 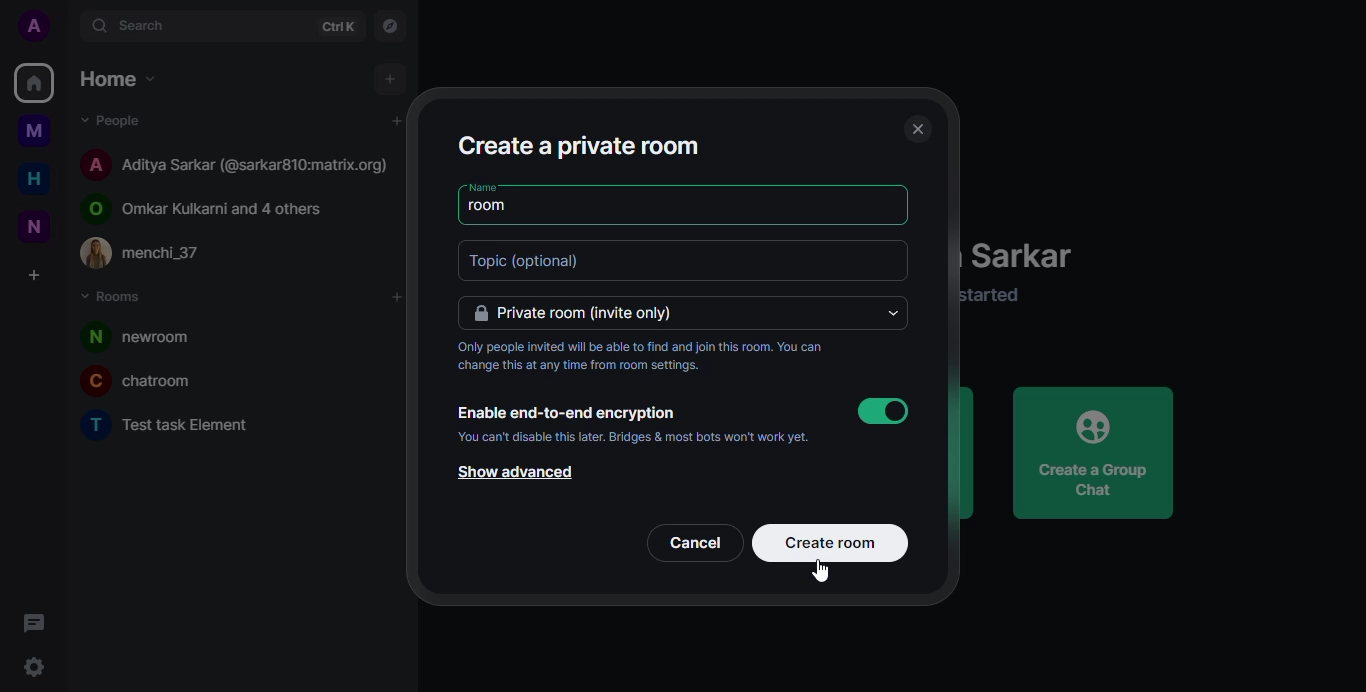 I want to click on Only people invited will be able to find and join this room., so click(x=642, y=357).